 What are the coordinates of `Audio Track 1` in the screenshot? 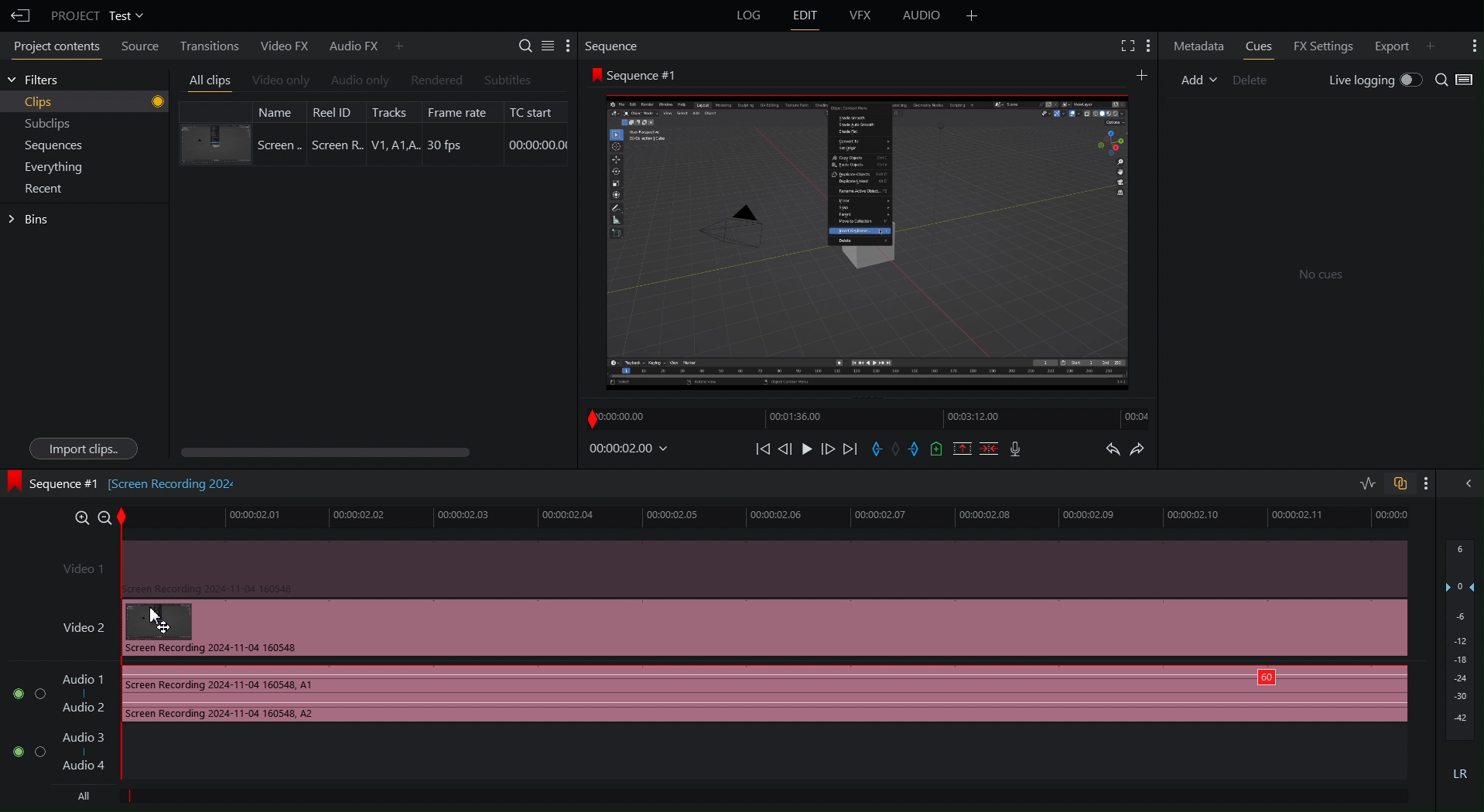 It's located at (703, 695).